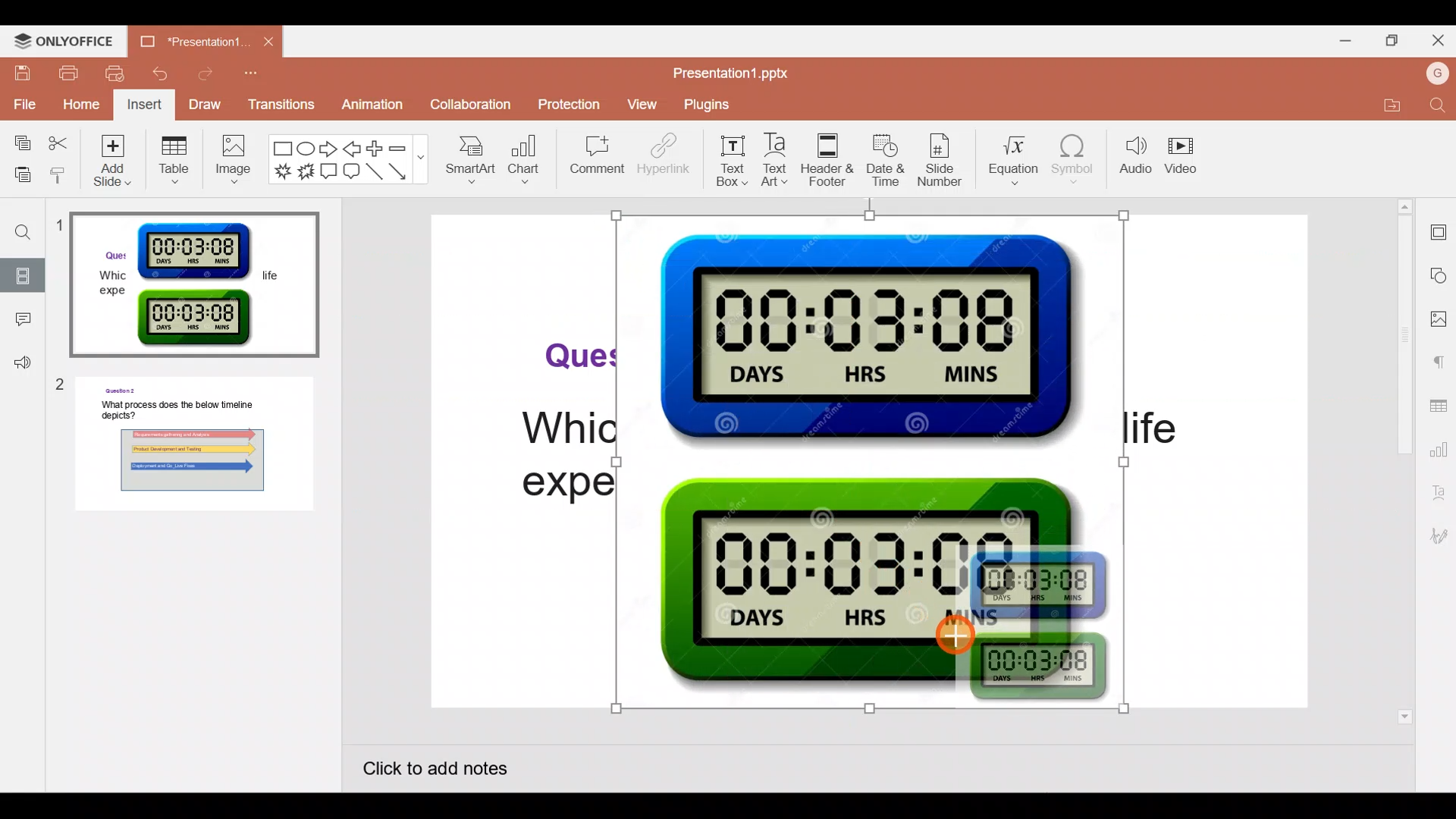 The image size is (1456, 819). Describe the element at coordinates (827, 155) in the screenshot. I see `Header & footer` at that location.